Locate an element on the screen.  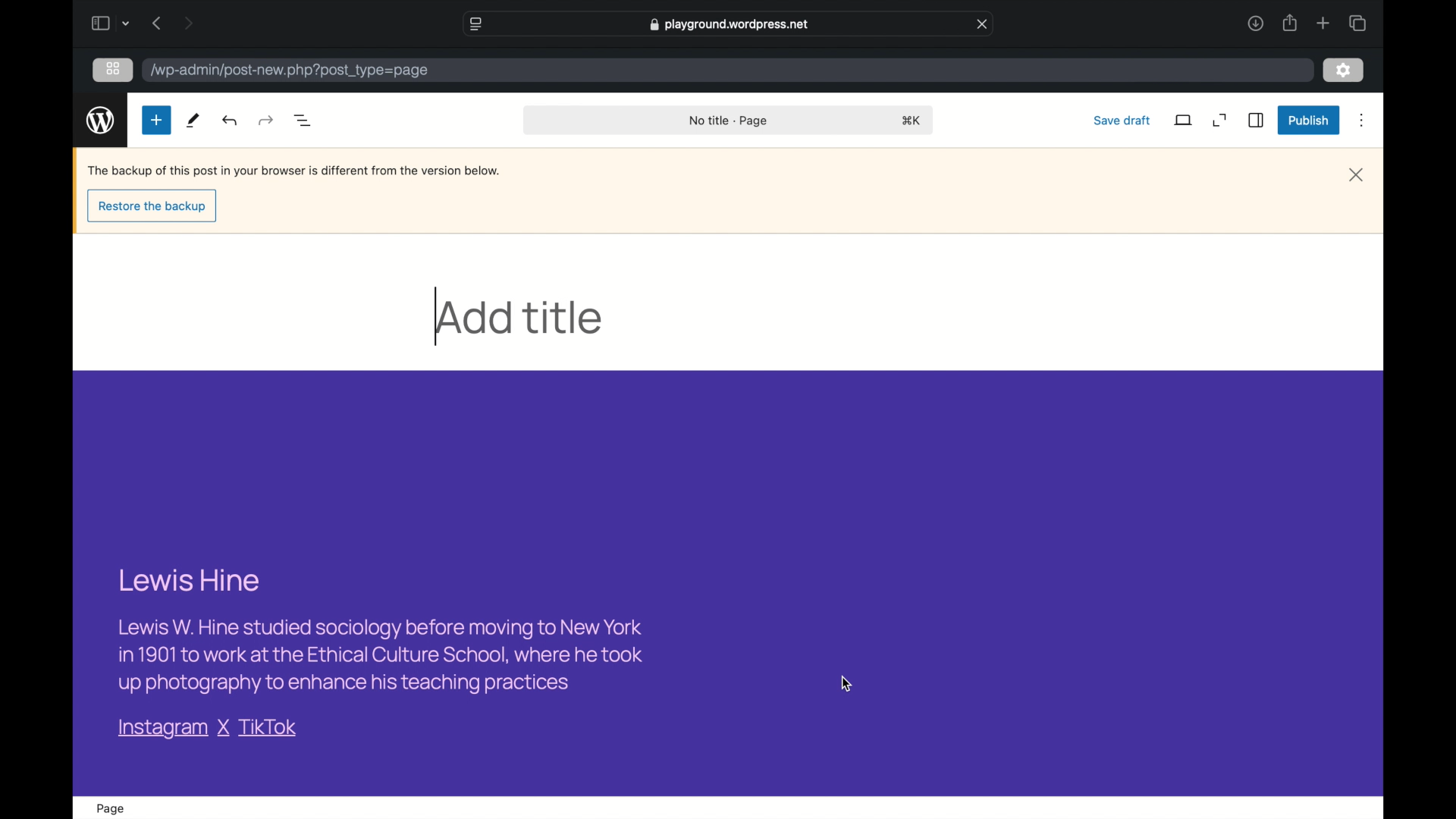
/wp-admin/post-new.php?post_type=page is located at coordinates (290, 74).